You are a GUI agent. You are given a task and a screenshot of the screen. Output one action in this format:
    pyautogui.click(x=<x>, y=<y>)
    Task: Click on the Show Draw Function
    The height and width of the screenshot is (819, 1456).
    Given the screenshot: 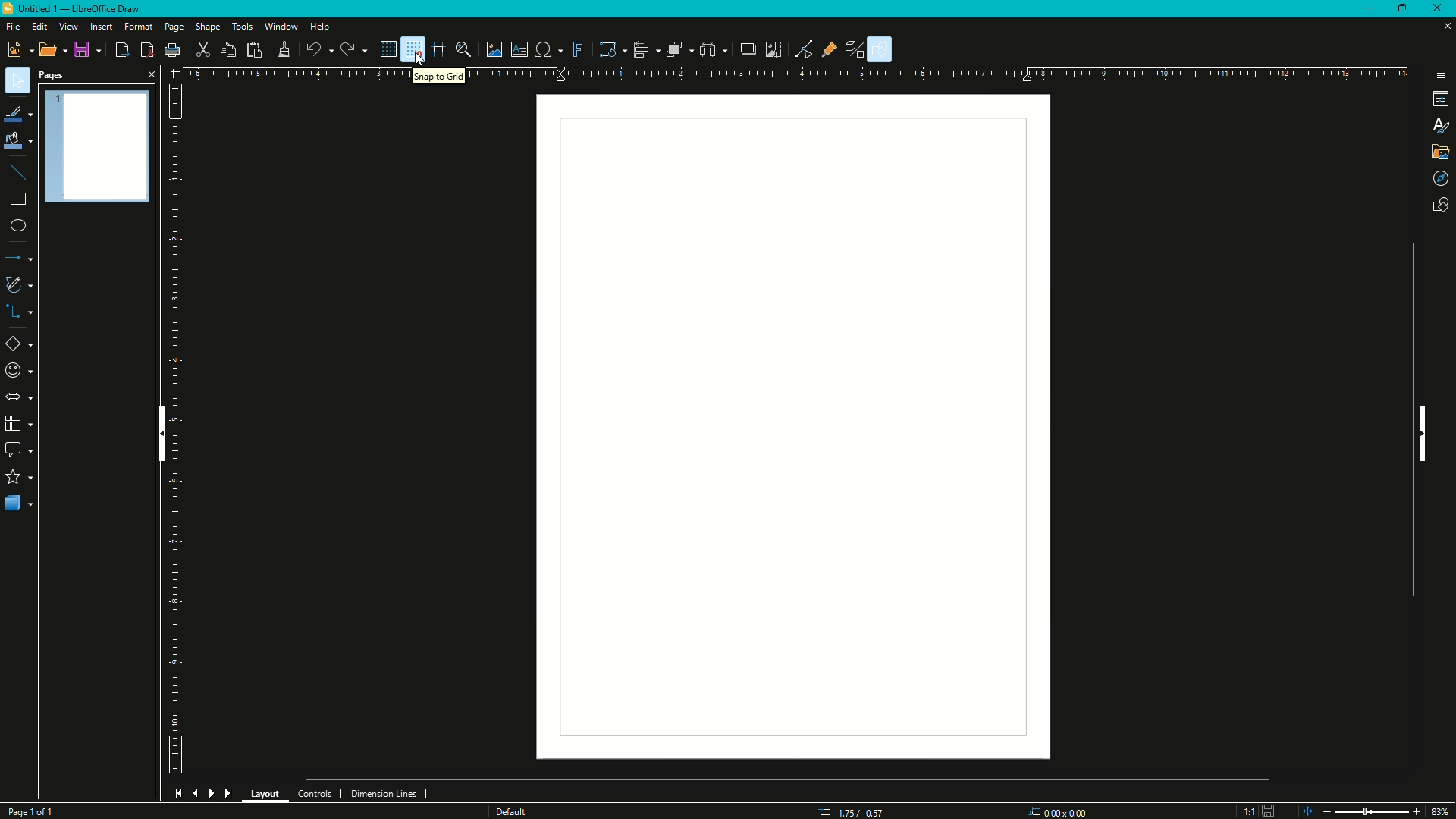 What is the action you would take?
    pyautogui.click(x=882, y=49)
    